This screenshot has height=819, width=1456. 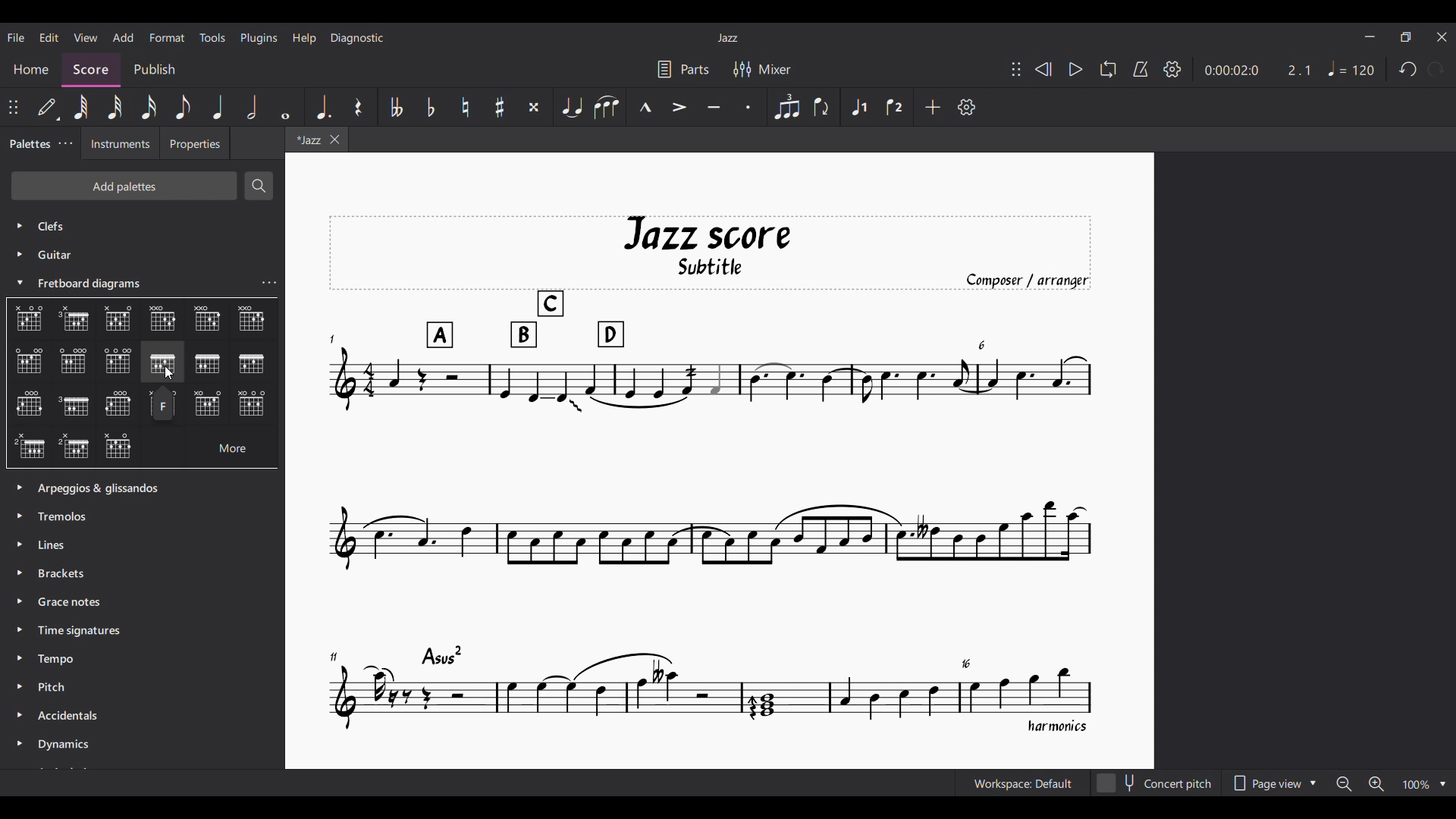 I want to click on Time, so click(x=86, y=631).